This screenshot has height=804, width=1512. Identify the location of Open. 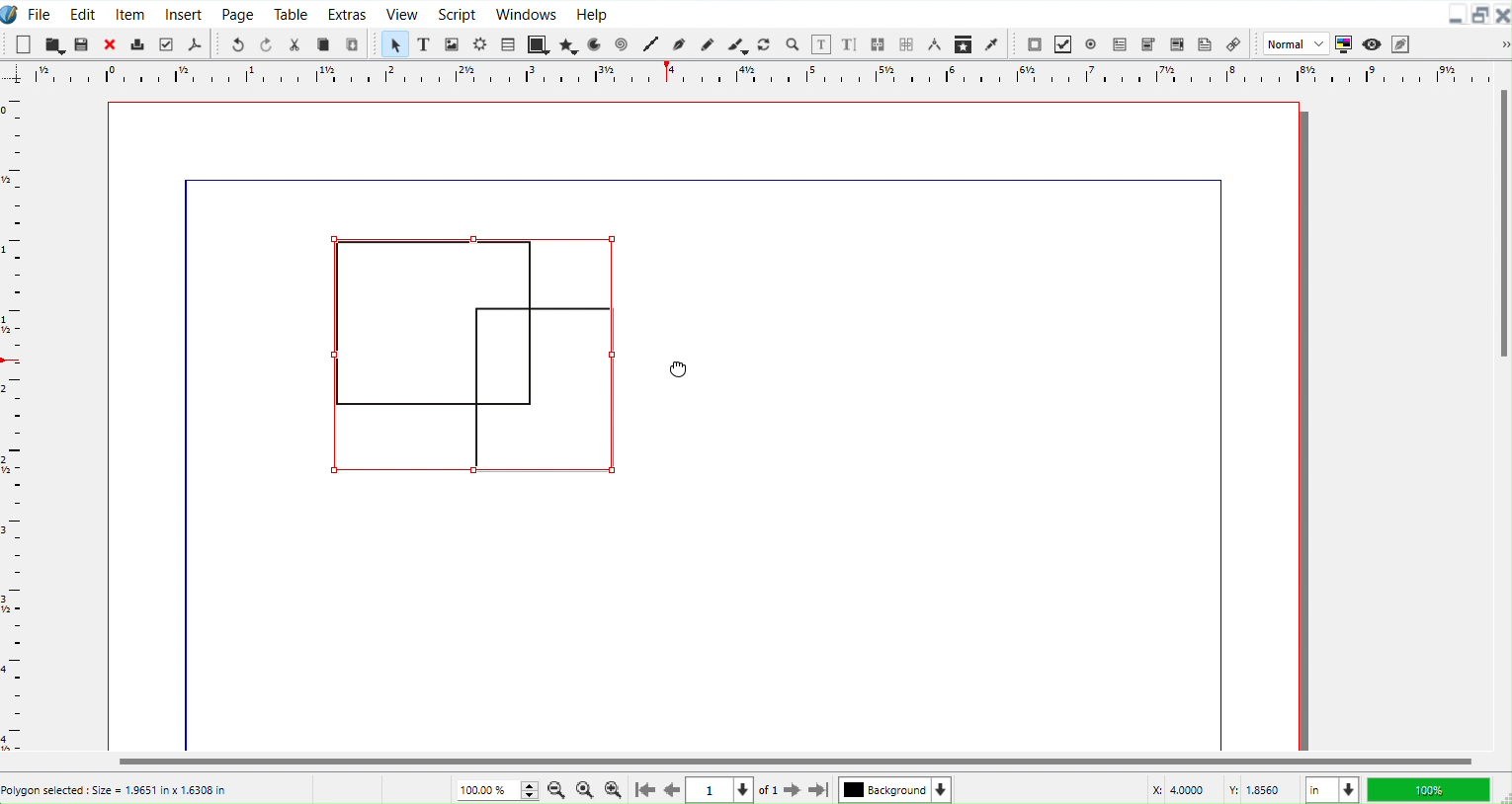
(55, 43).